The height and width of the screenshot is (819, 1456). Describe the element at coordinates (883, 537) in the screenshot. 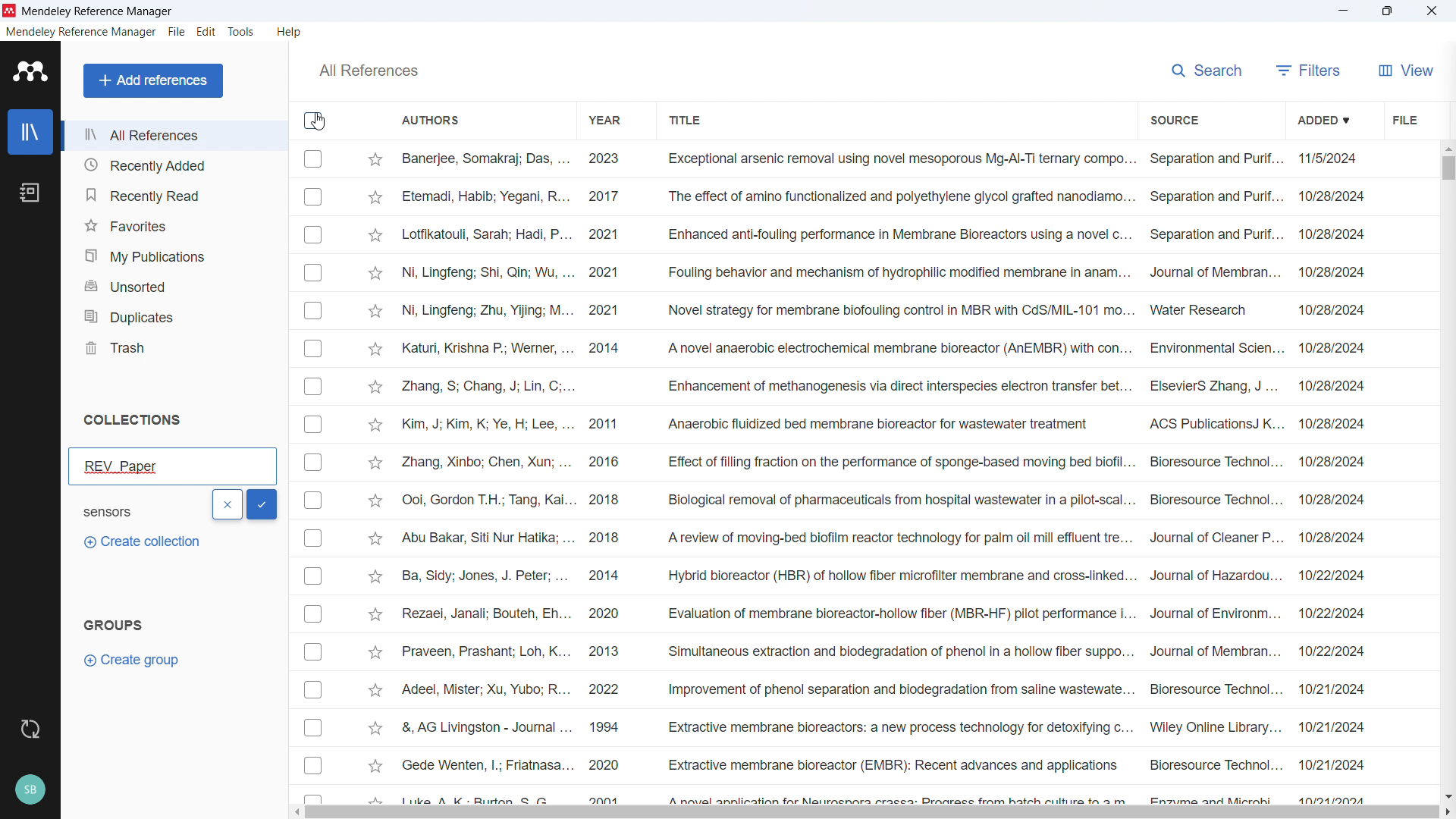

I see `Abu Bakar, Siti Nur Hatika; ... 2018 A review of moving-bed biofilm reactor technology for palm oil mill effluent tre... Journal of Cleaner P... 10/28/2024` at that location.